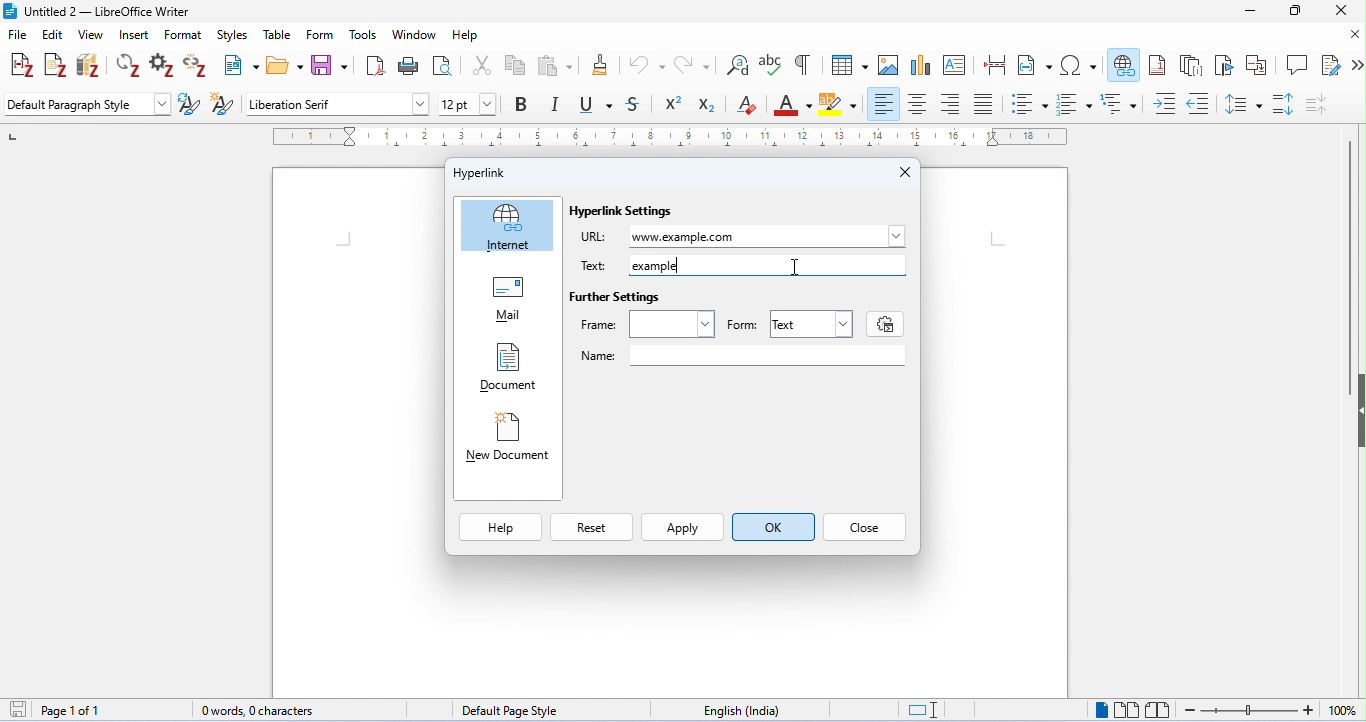 The width and height of the screenshot is (1366, 722). What do you see at coordinates (1285, 104) in the screenshot?
I see `paragraph spacing` at bounding box center [1285, 104].